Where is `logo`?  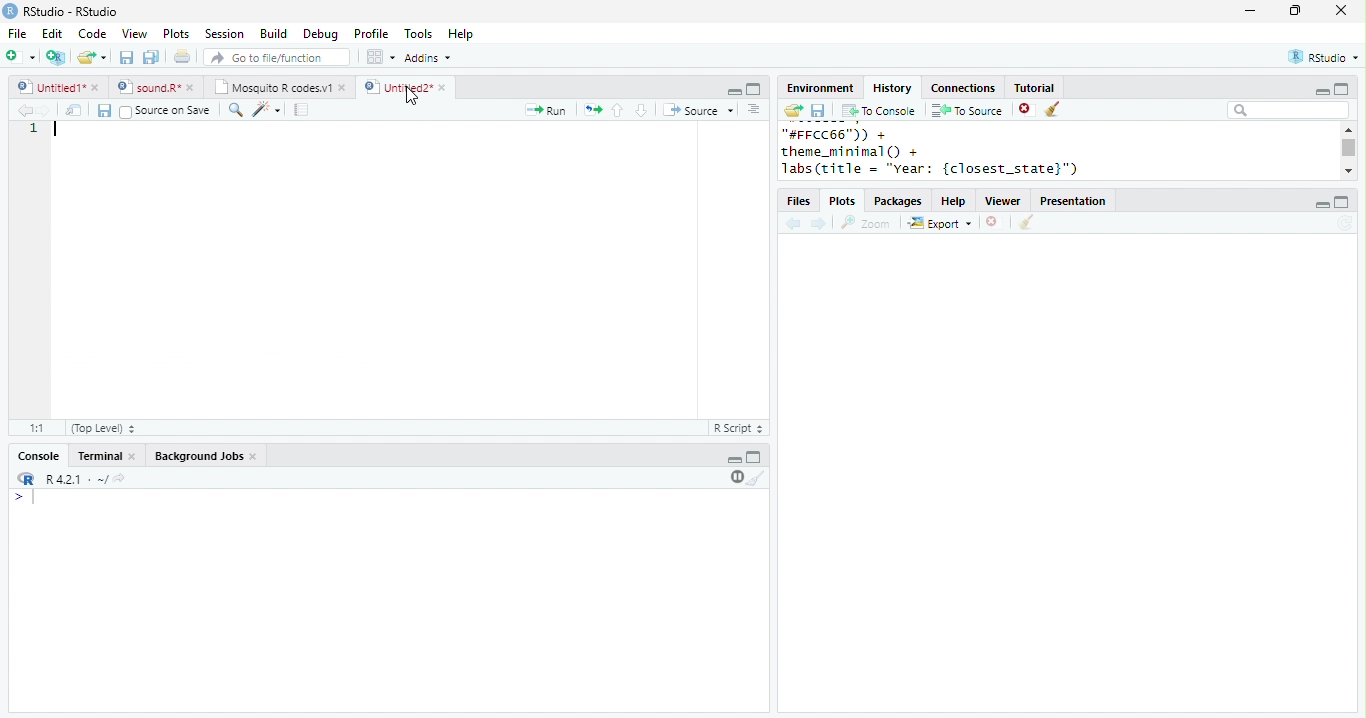 logo is located at coordinates (10, 10).